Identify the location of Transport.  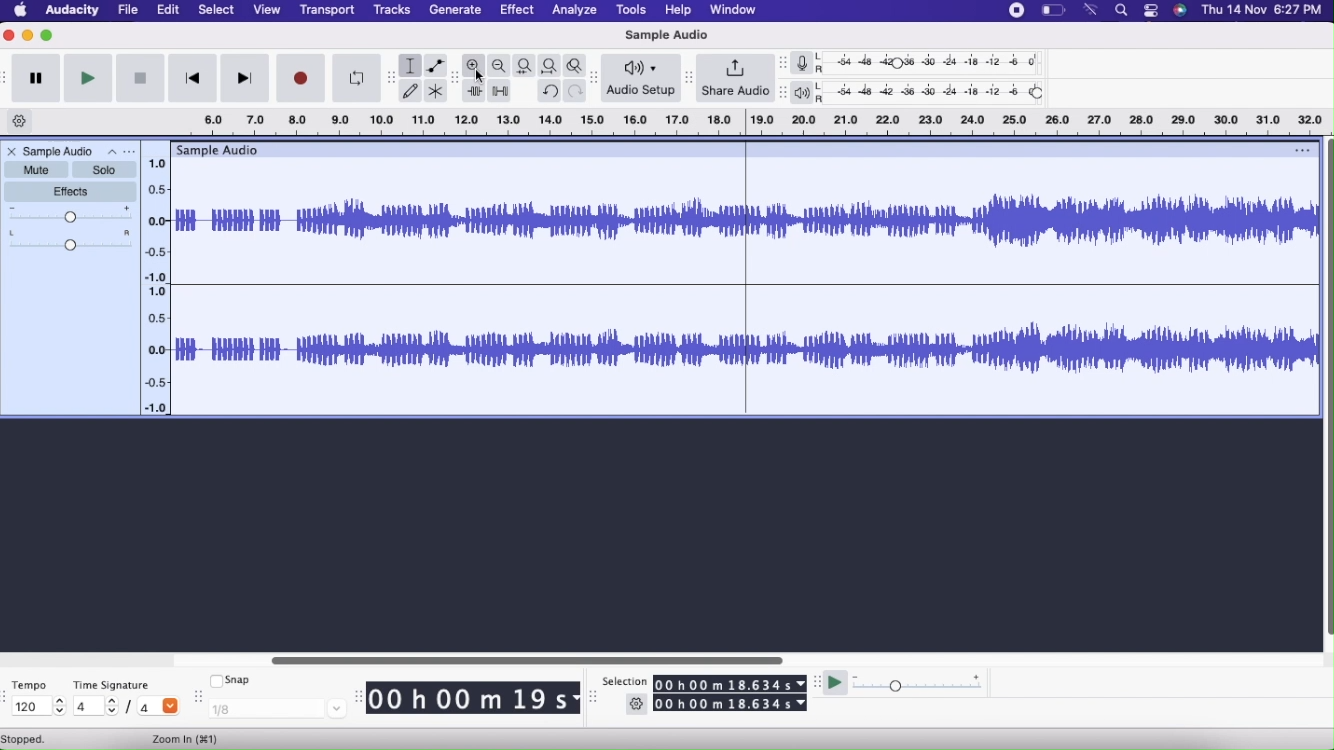
(328, 10).